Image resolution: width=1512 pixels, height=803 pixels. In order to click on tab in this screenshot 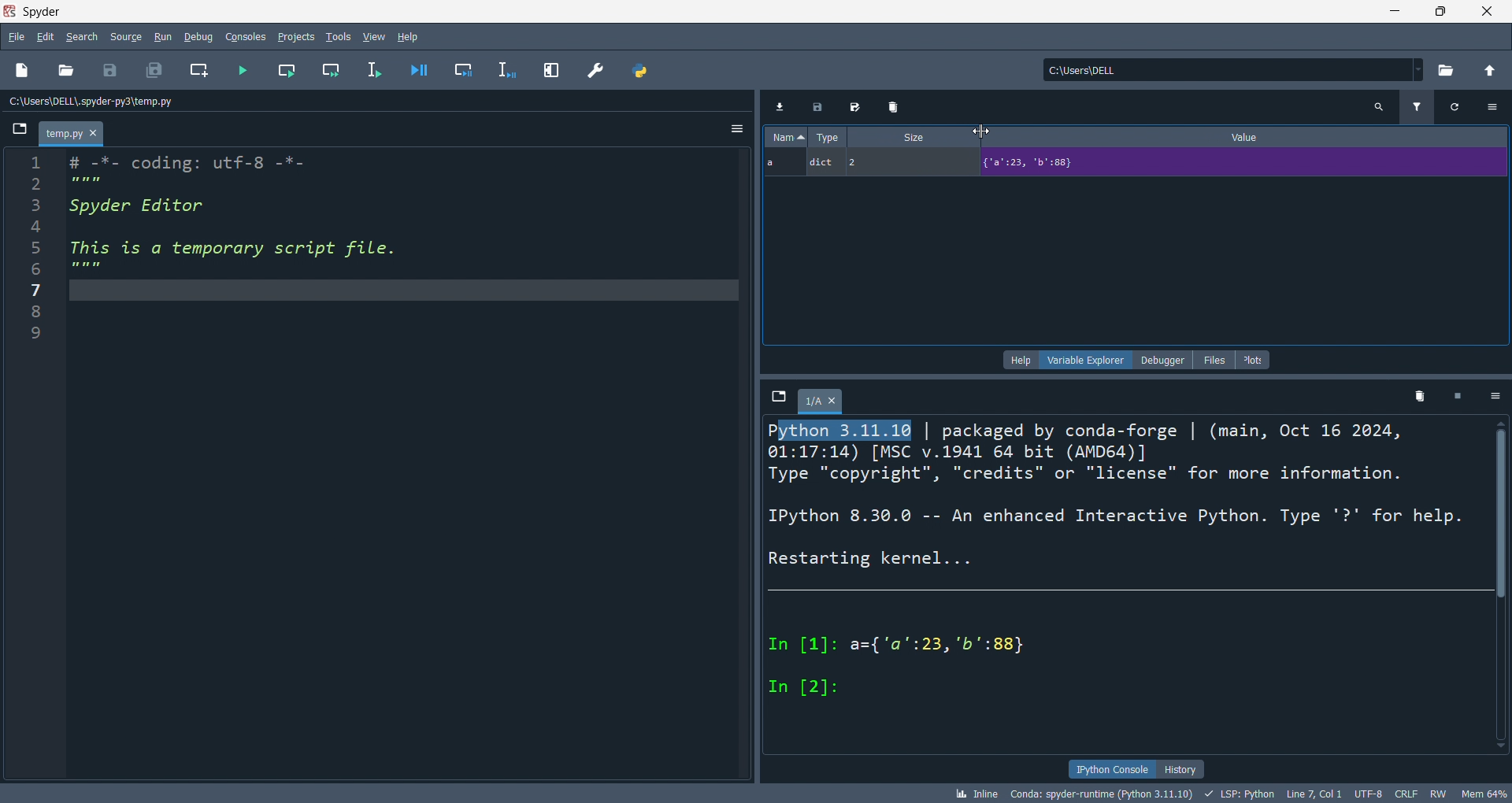, I will do `click(821, 400)`.